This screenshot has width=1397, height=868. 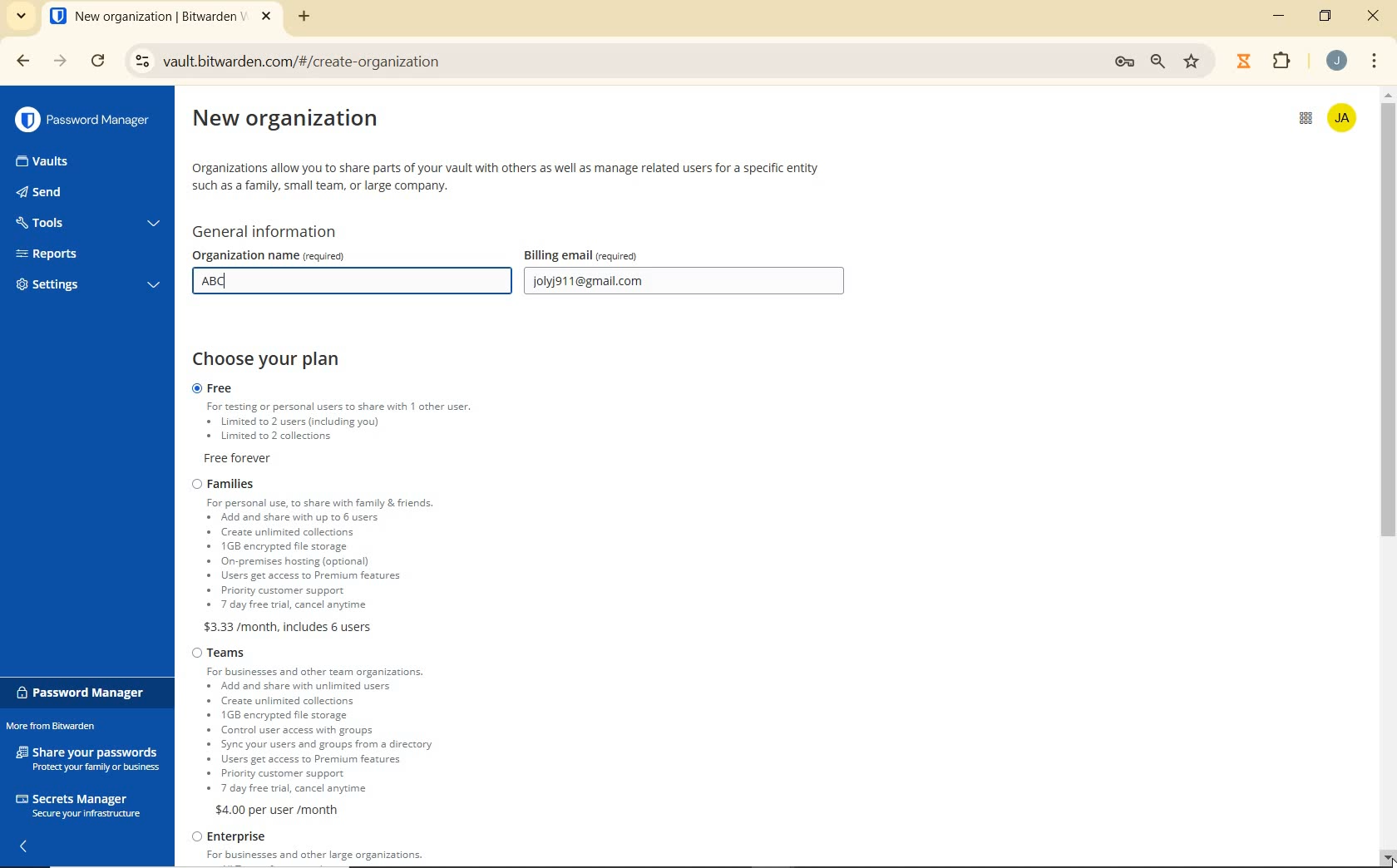 What do you see at coordinates (322, 731) in the screenshot?
I see `team plan` at bounding box center [322, 731].